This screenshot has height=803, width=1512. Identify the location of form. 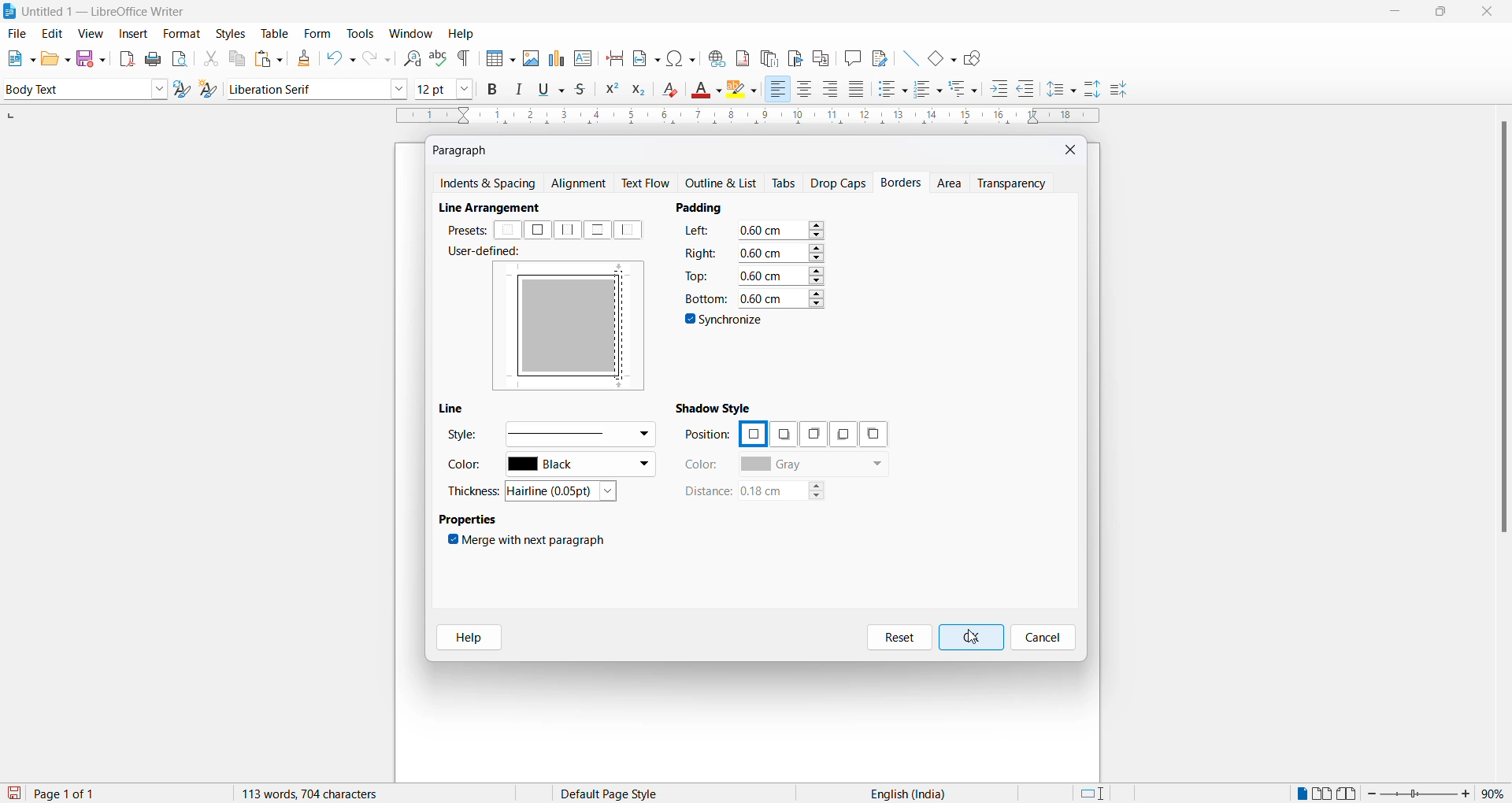
(317, 33).